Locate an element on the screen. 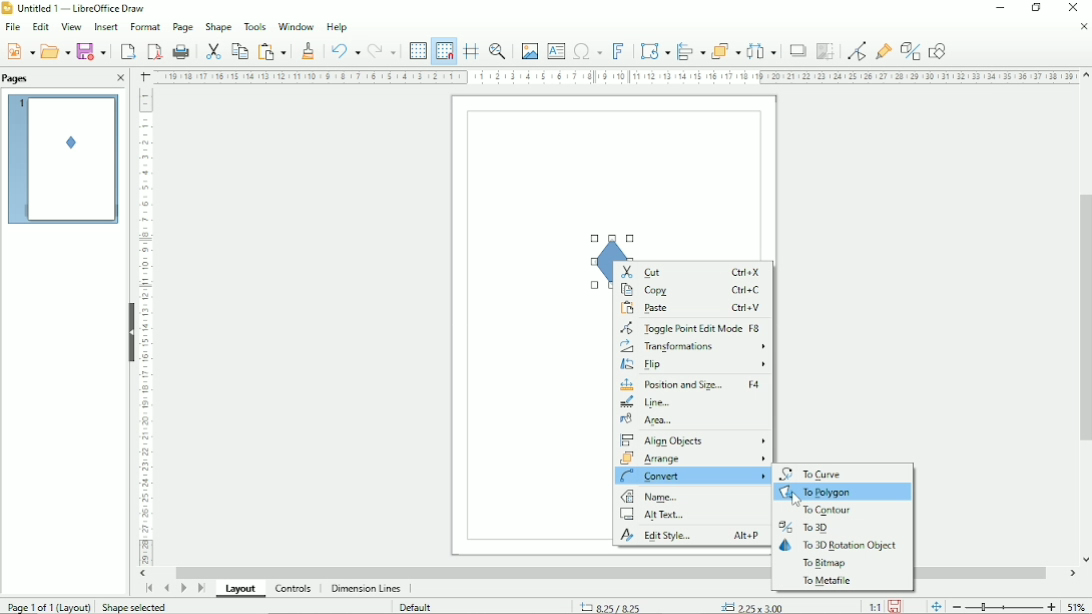  Edit style is located at coordinates (689, 537).